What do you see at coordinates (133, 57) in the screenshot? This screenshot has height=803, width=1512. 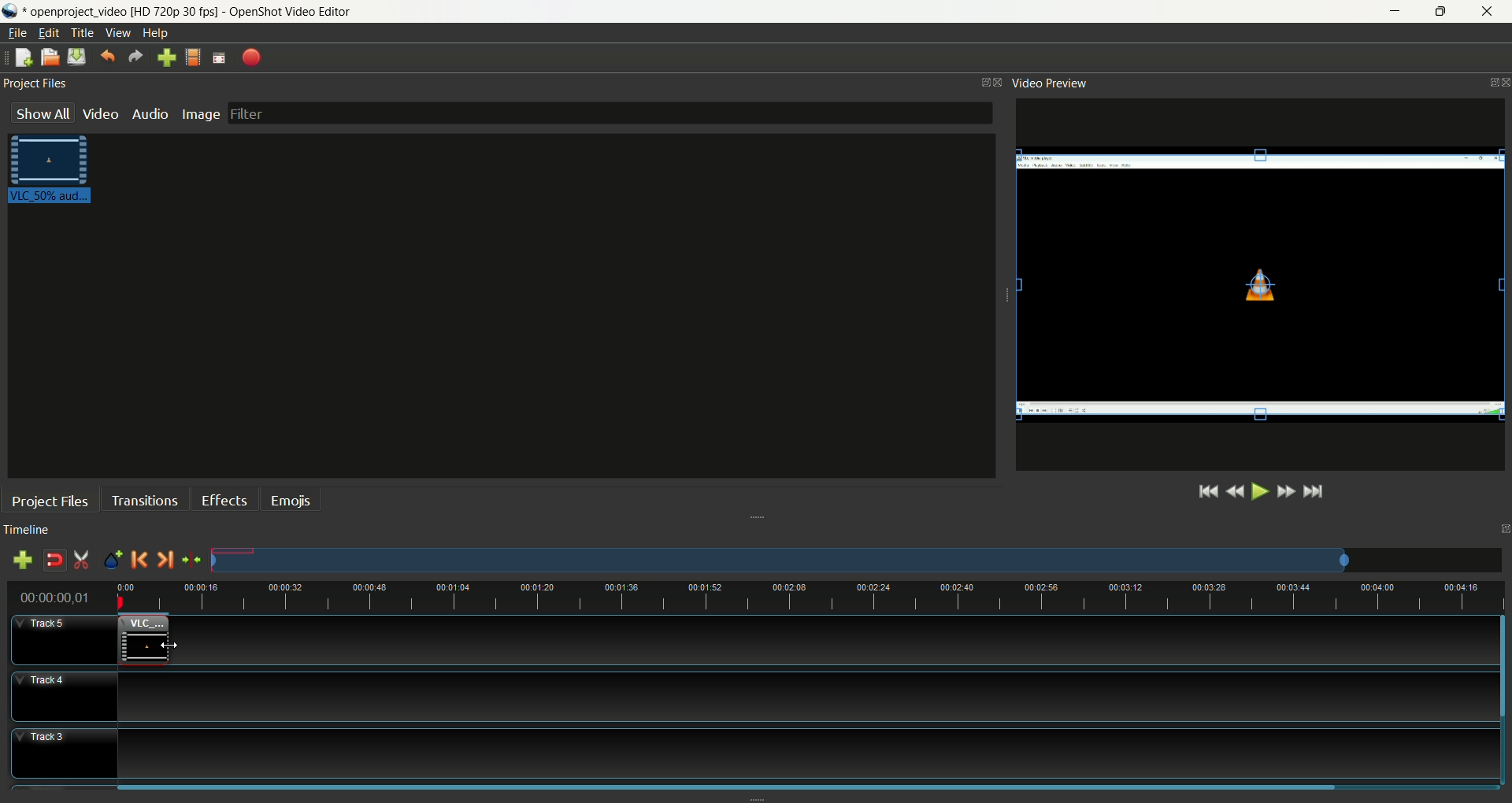 I see `redo` at bounding box center [133, 57].